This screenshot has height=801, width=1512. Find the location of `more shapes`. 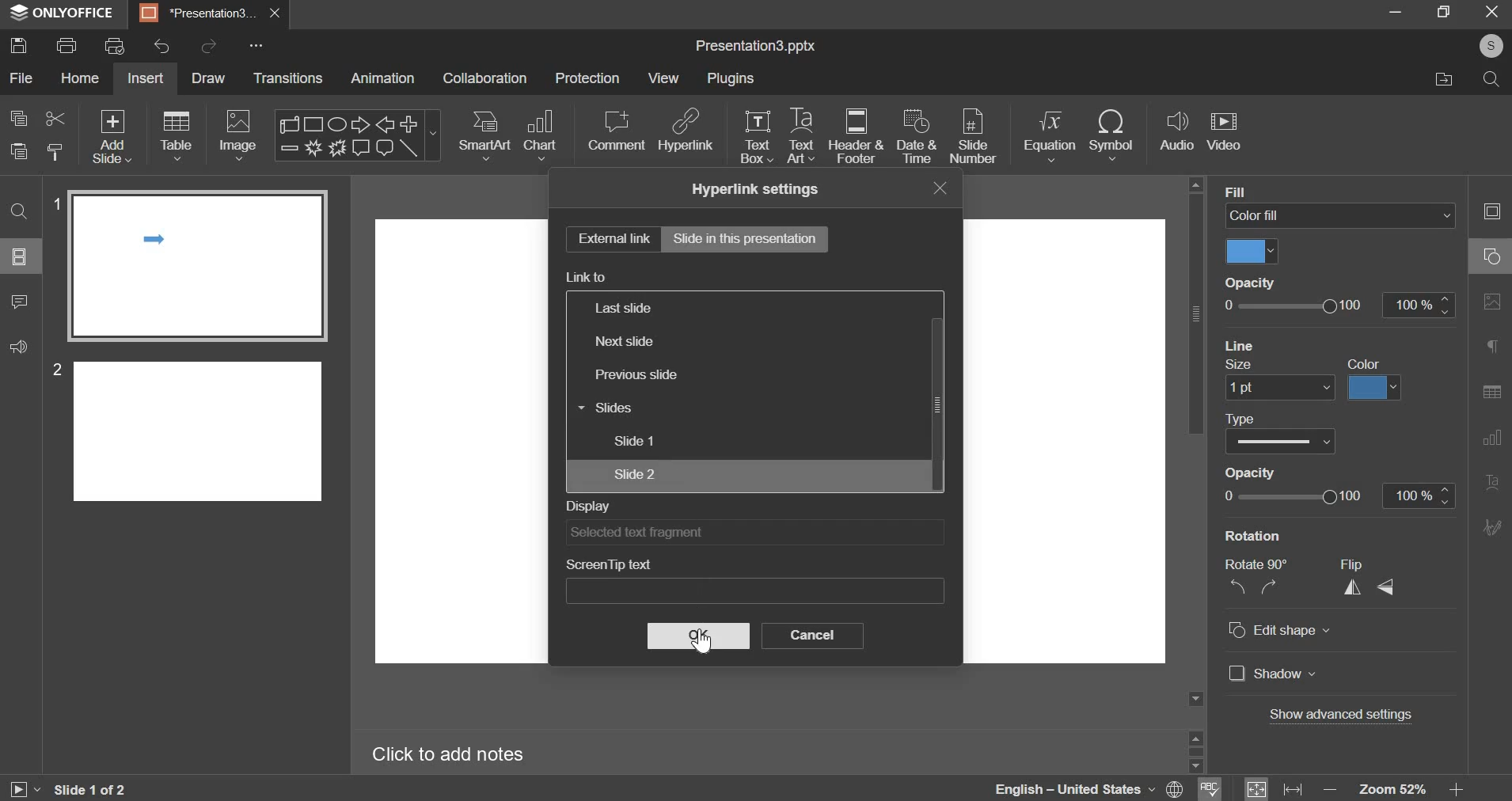

more shapes is located at coordinates (435, 138).